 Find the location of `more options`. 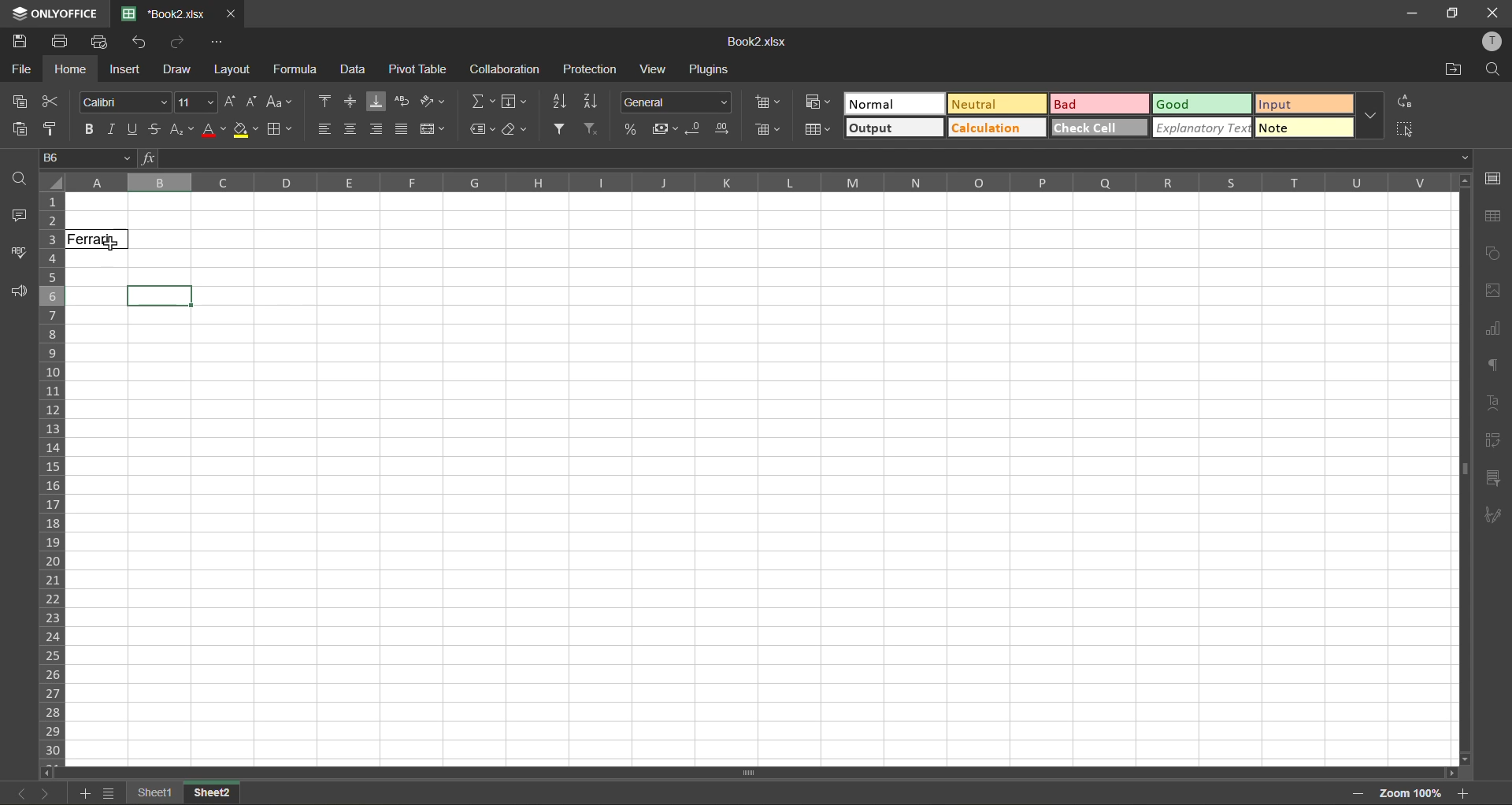

more options is located at coordinates (1371, 114).